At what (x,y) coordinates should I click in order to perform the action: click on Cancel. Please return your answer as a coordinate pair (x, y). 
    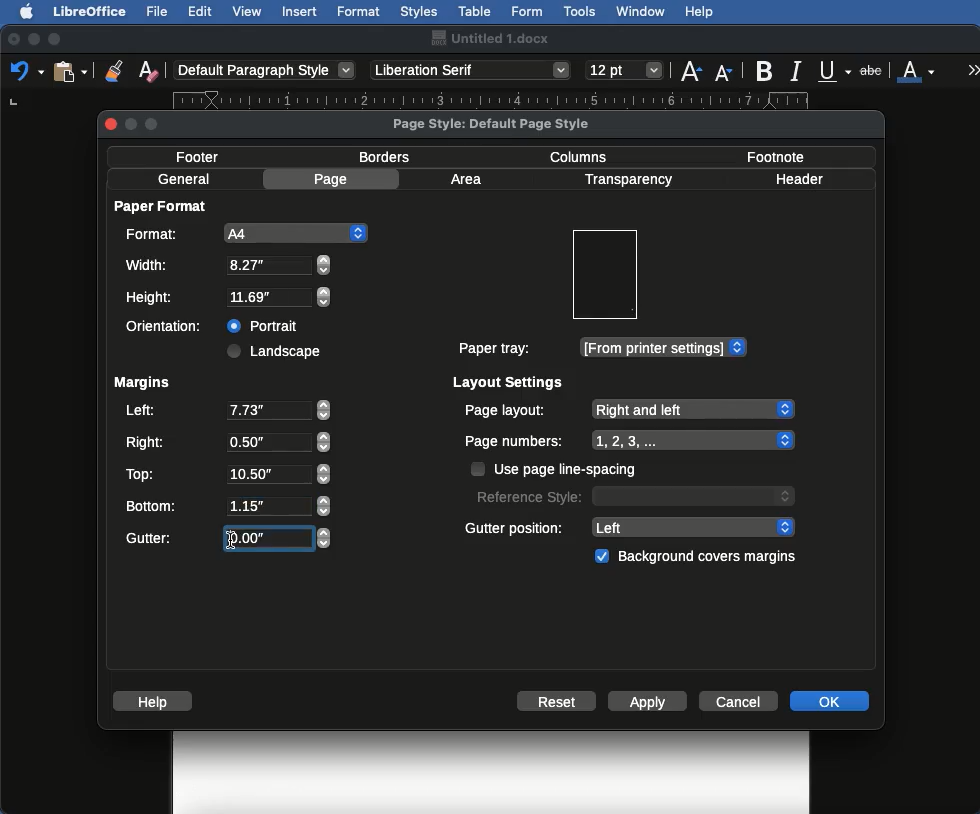
    Looking at the image, I should click on (741, 700).